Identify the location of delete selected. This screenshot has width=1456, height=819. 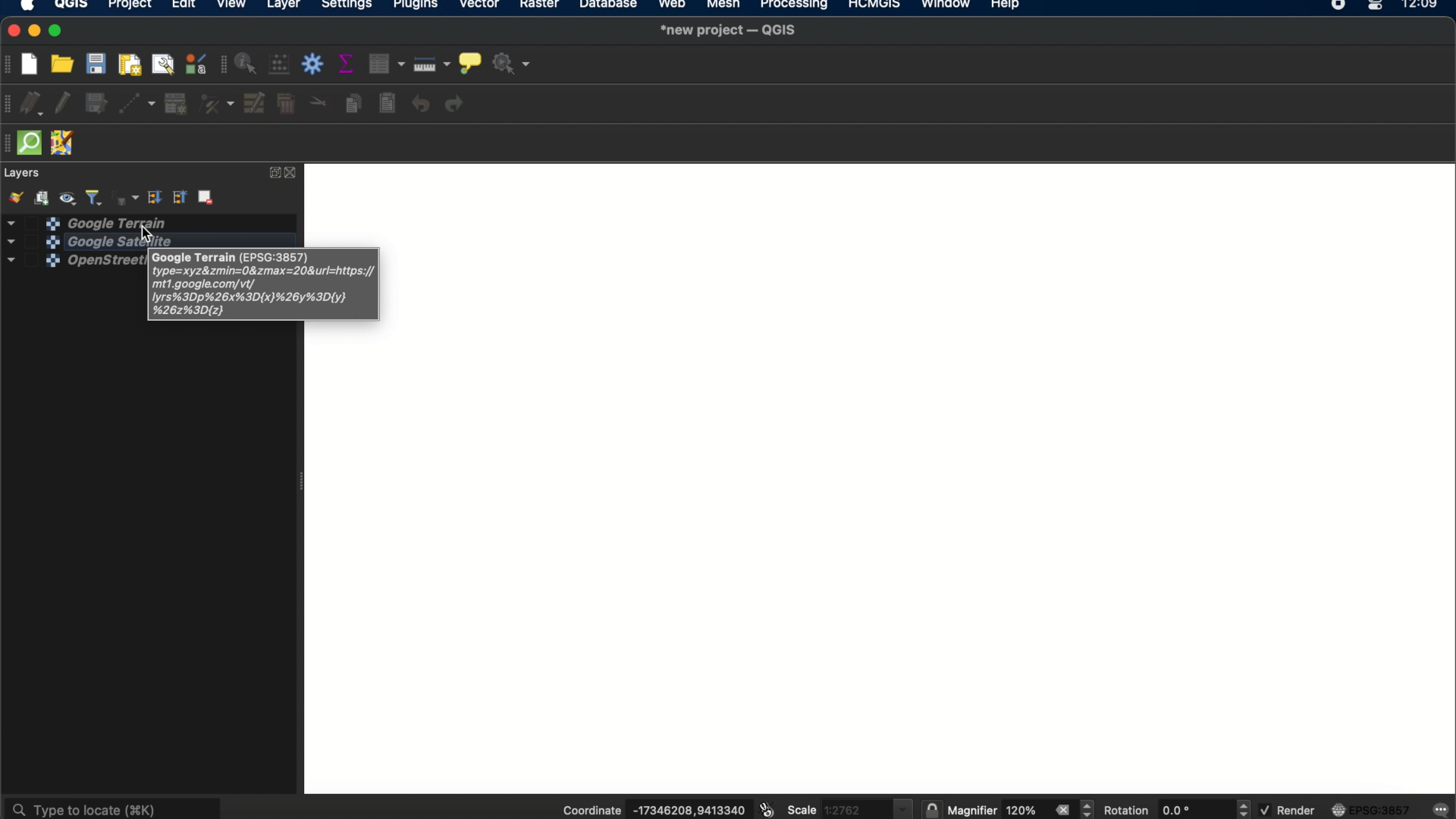
(286, 105).